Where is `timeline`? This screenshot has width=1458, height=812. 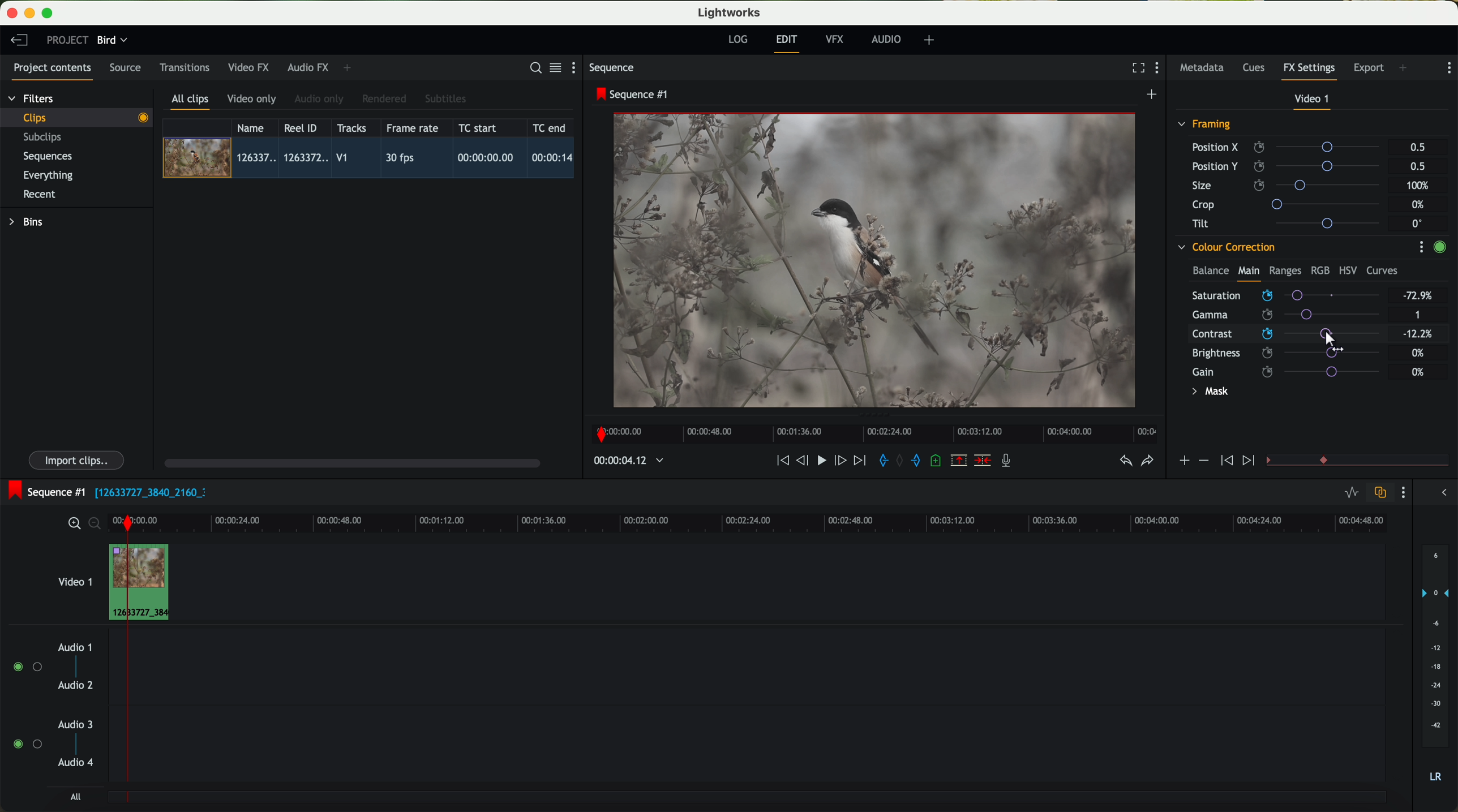
timeline is located at coordinates (871, 431).